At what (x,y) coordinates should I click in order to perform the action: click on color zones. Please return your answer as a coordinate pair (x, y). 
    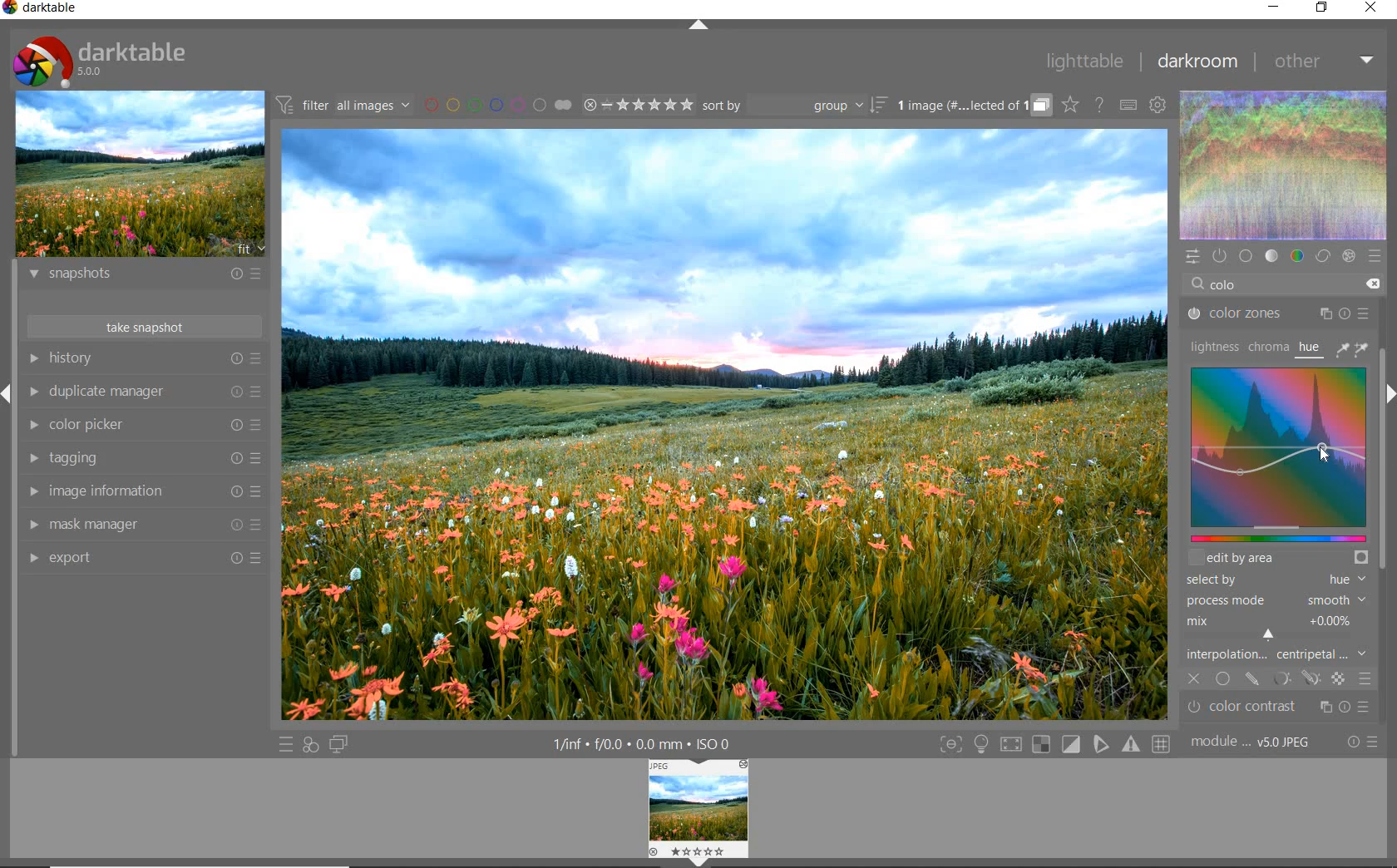
    Looking at the image, I should click on (1279, 316).